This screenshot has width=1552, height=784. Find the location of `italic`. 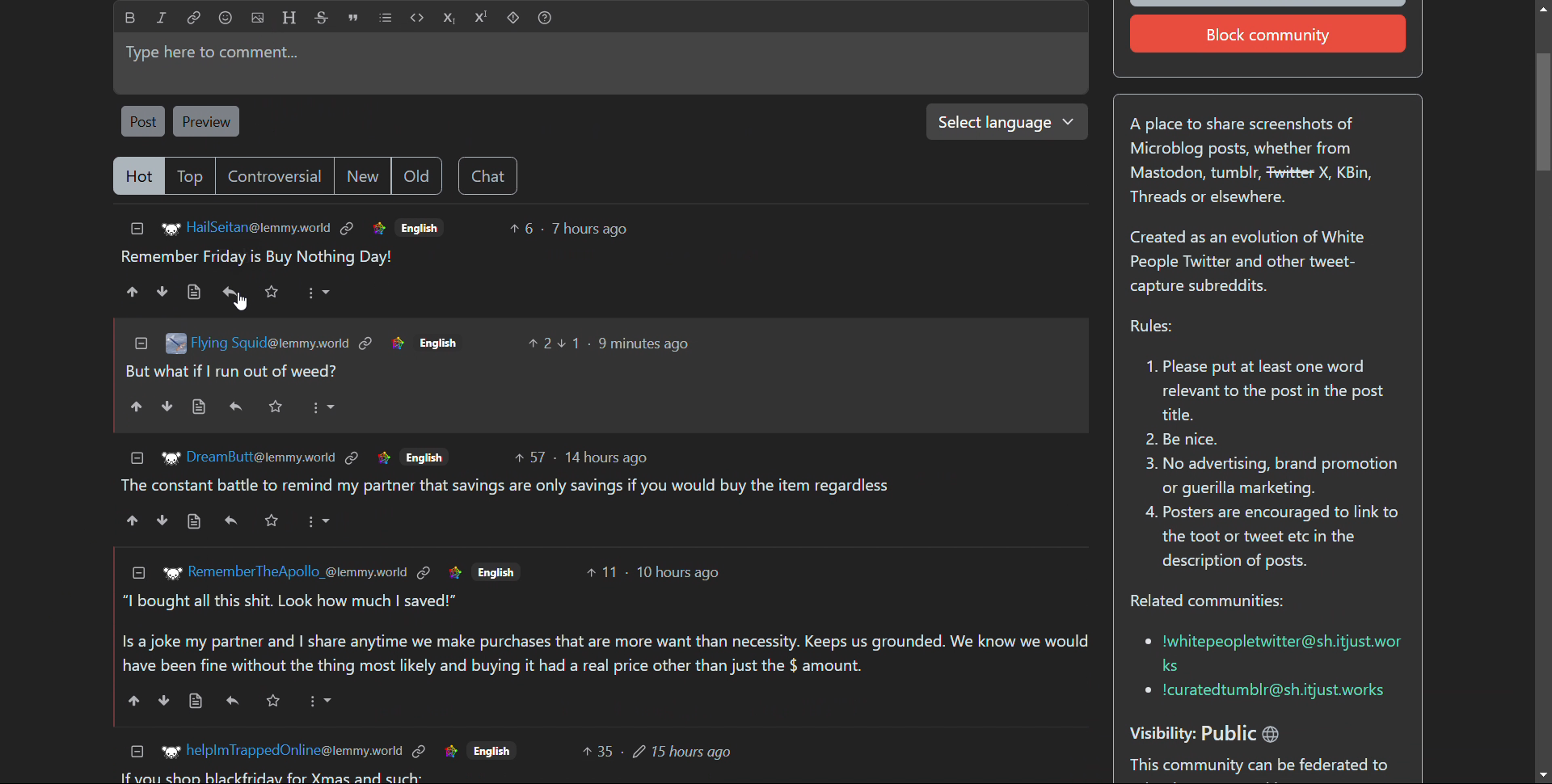

italic is located at coordinates (162, 17).